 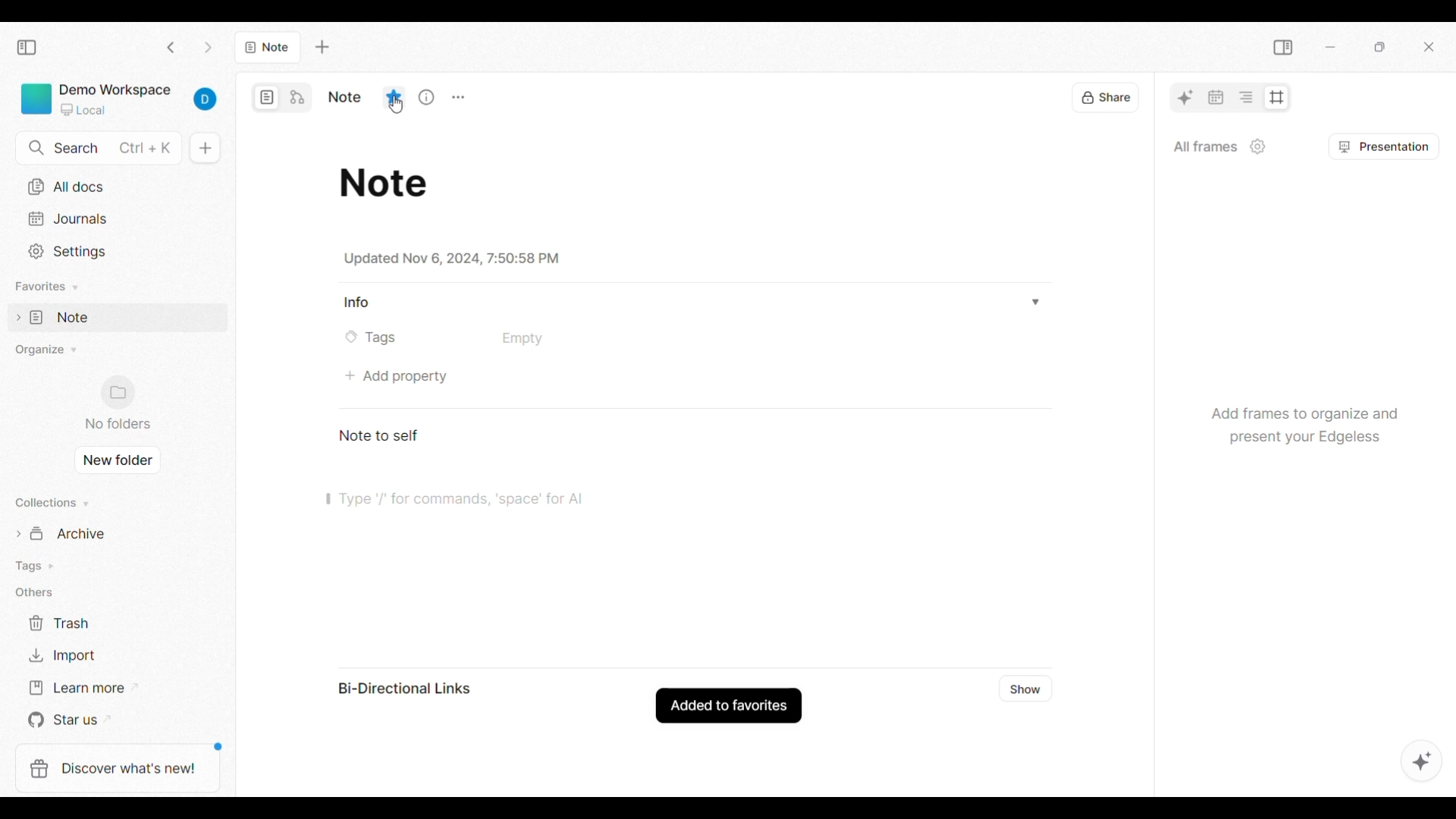 I want to click on Learn more, so click(x=90, y=689).